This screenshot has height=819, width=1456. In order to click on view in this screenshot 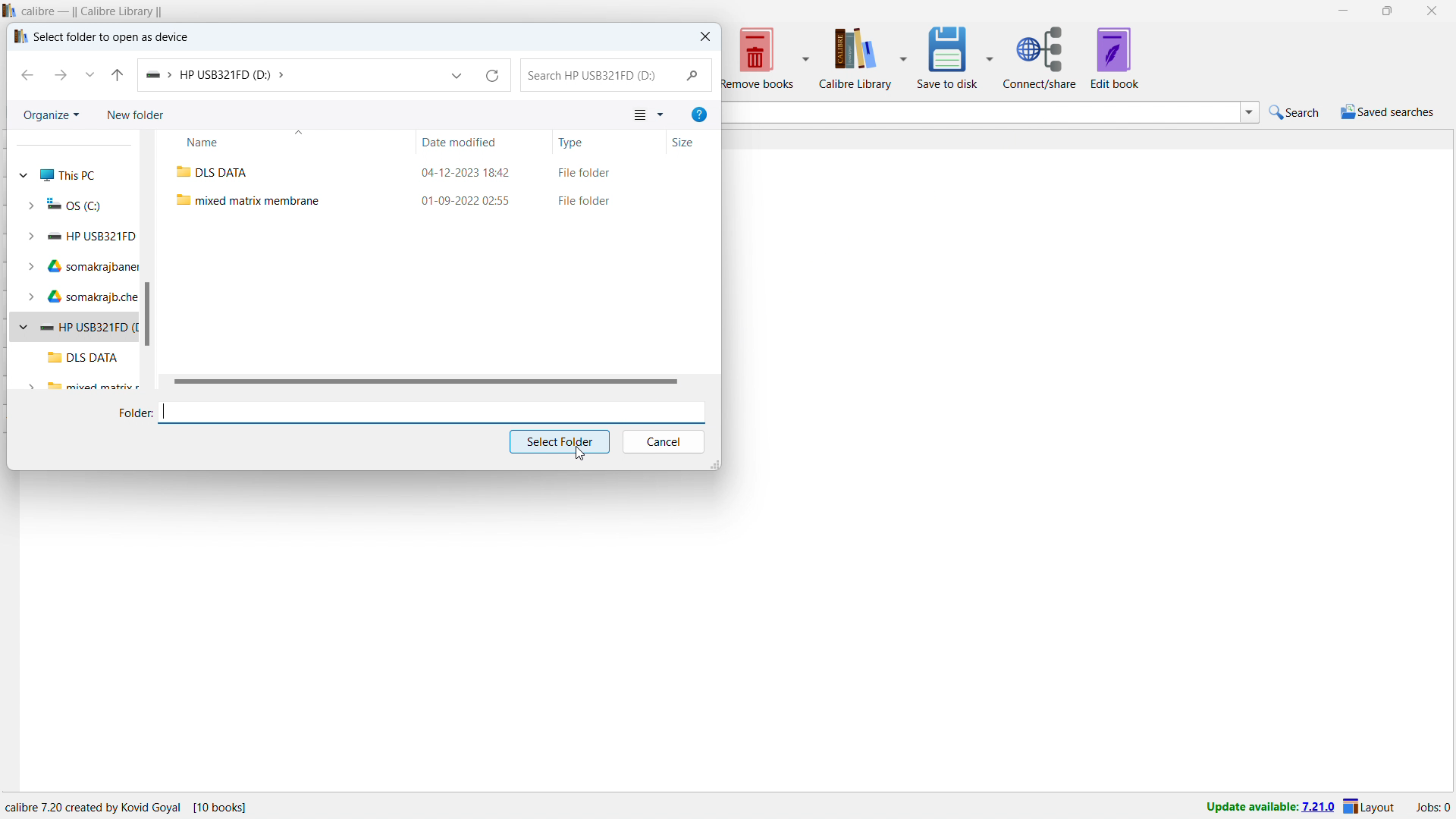, I will do `click(648, 115)`.